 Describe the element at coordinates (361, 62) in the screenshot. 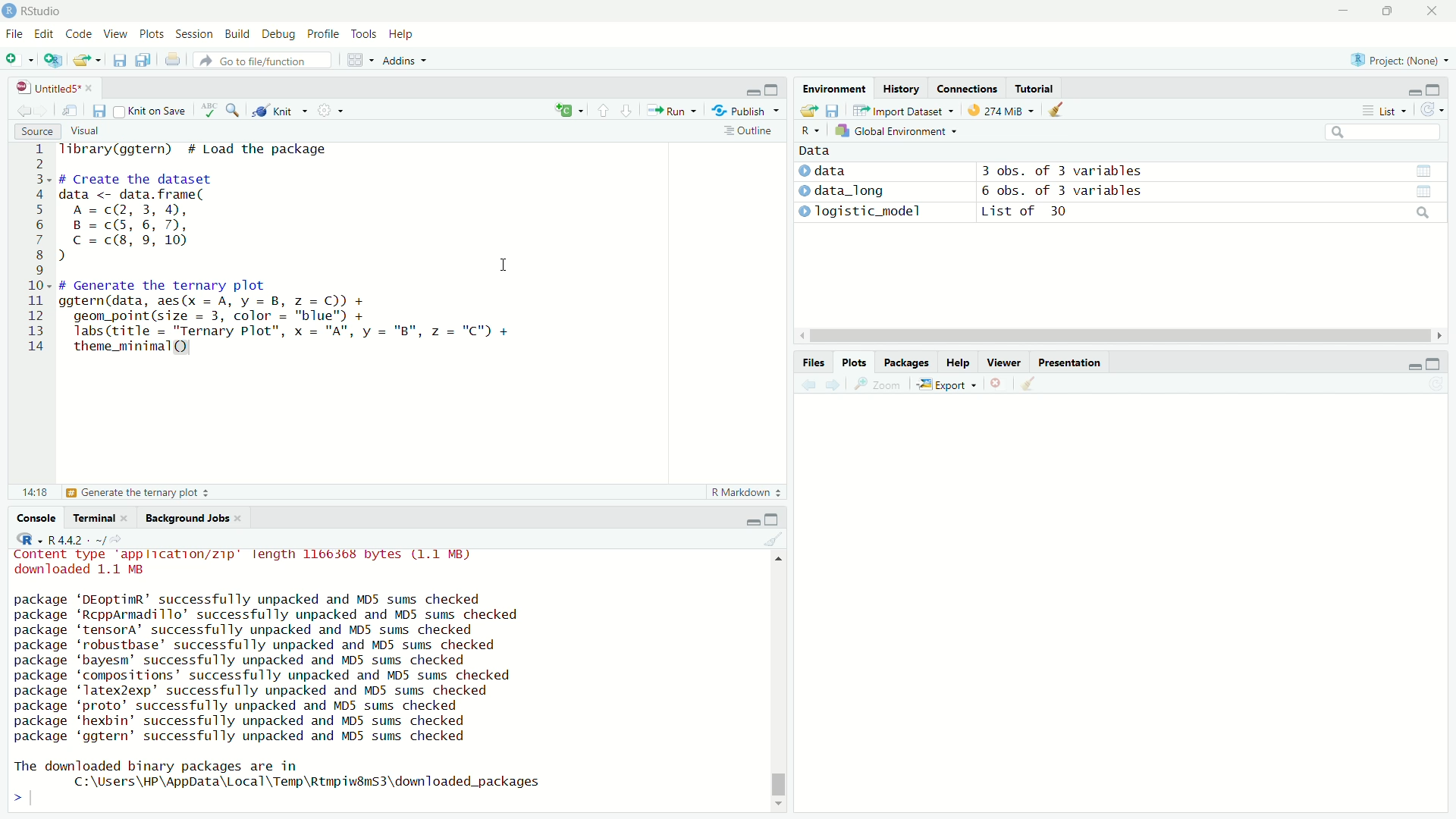

I see `grid` at that location.